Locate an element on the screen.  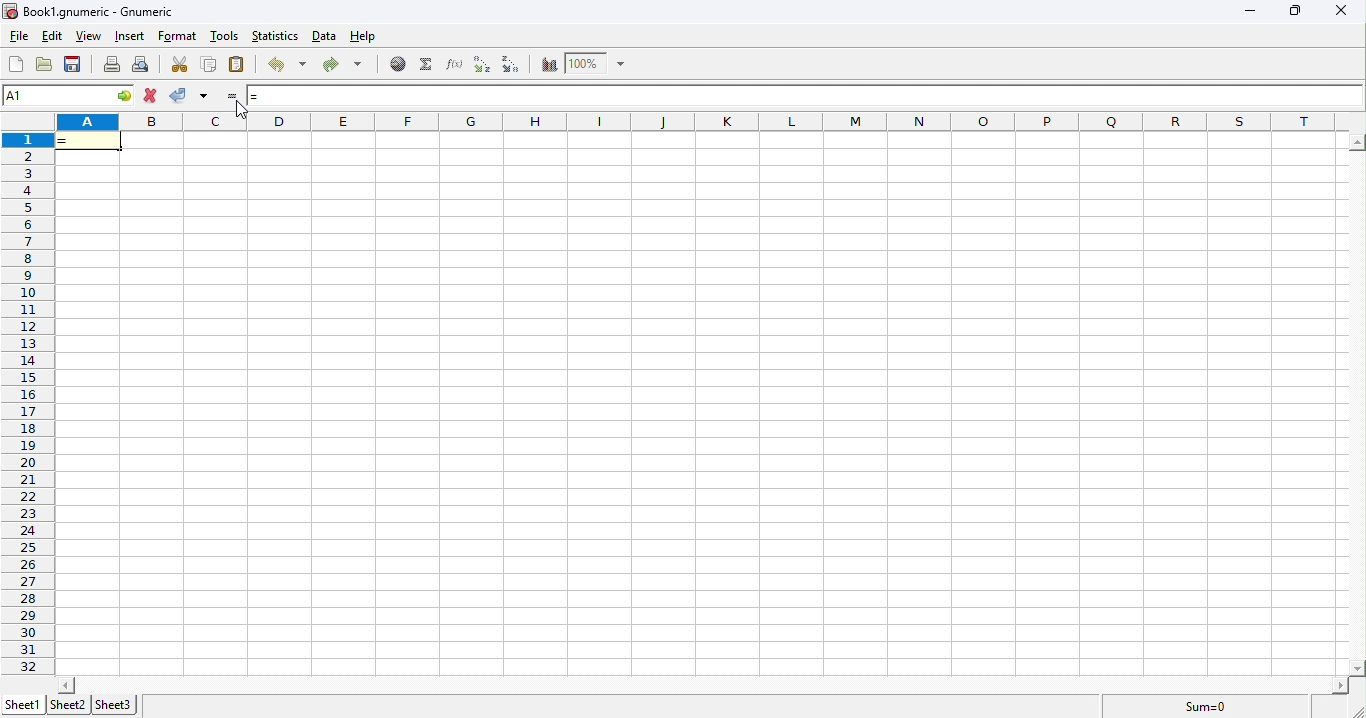
copy is located at coordinates (210, 64).